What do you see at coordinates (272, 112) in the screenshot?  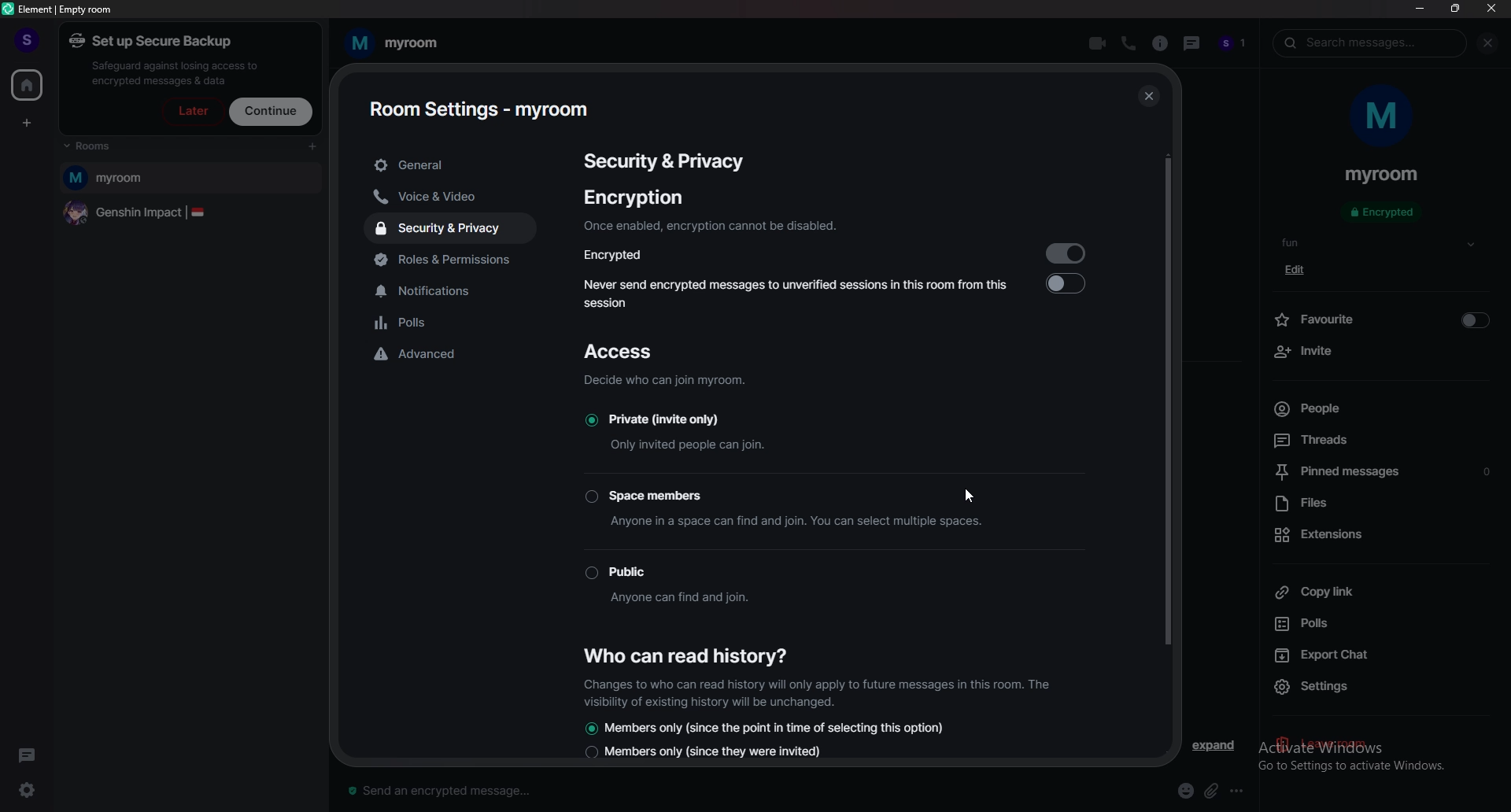 I see `continue` at bounding box center [272, 112].